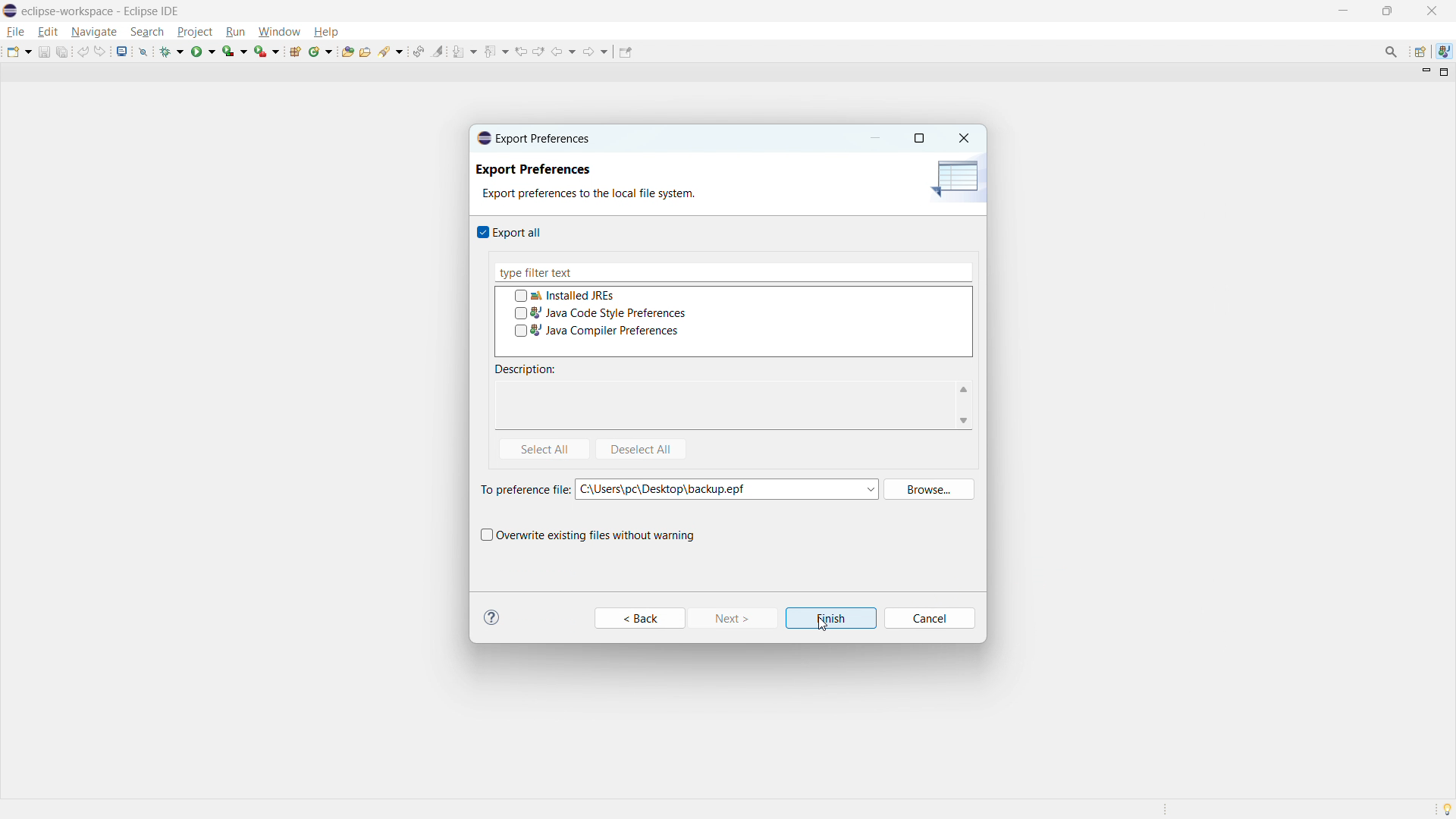 The image size is (1456, 819). What do you see at coordinates (1419, 52) in the screenshot?
I see `open perspective` at bounding box center [1419, 52].